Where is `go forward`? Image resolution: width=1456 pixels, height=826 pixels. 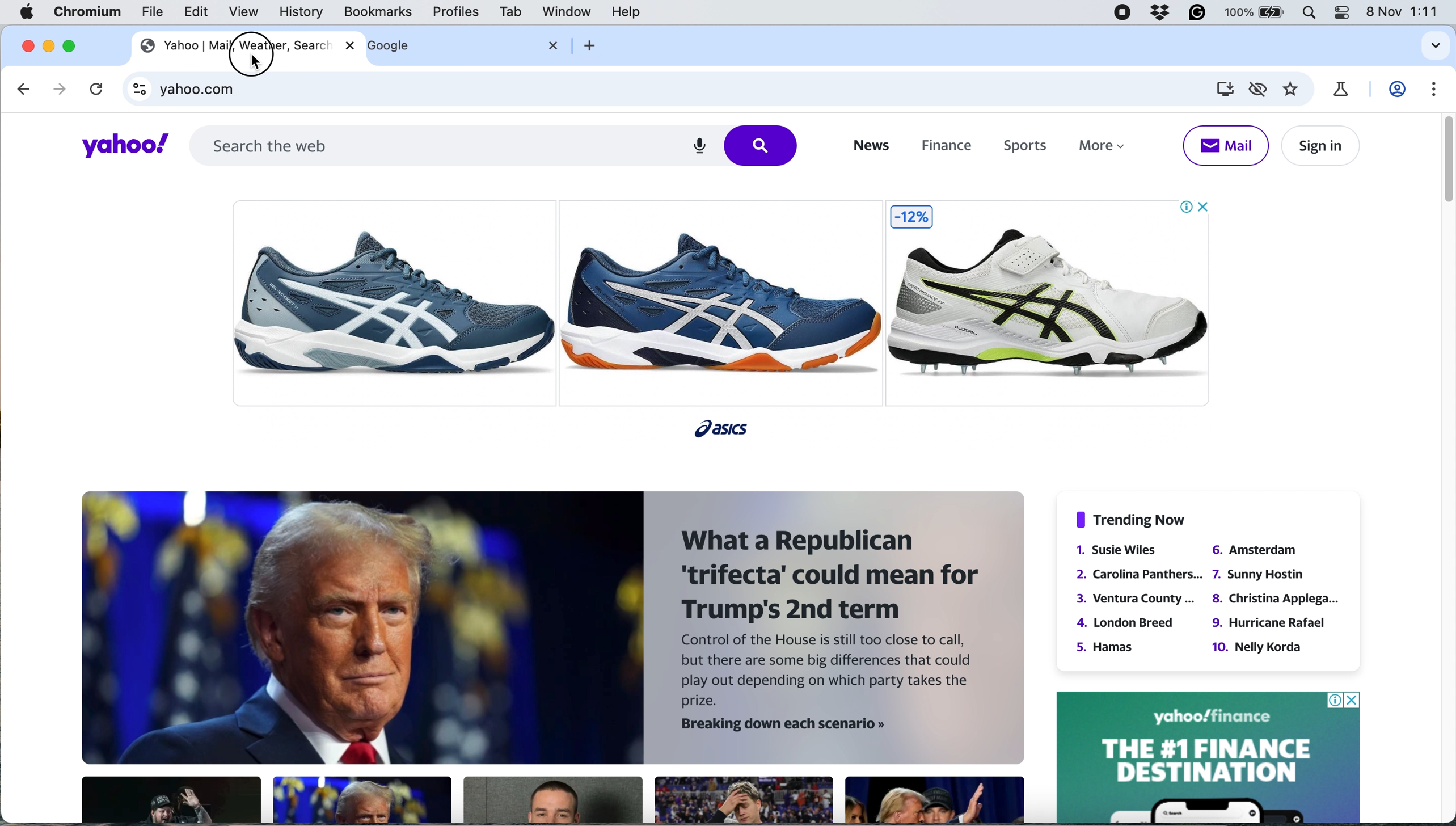 go forward is located at coordinates (55, 88).